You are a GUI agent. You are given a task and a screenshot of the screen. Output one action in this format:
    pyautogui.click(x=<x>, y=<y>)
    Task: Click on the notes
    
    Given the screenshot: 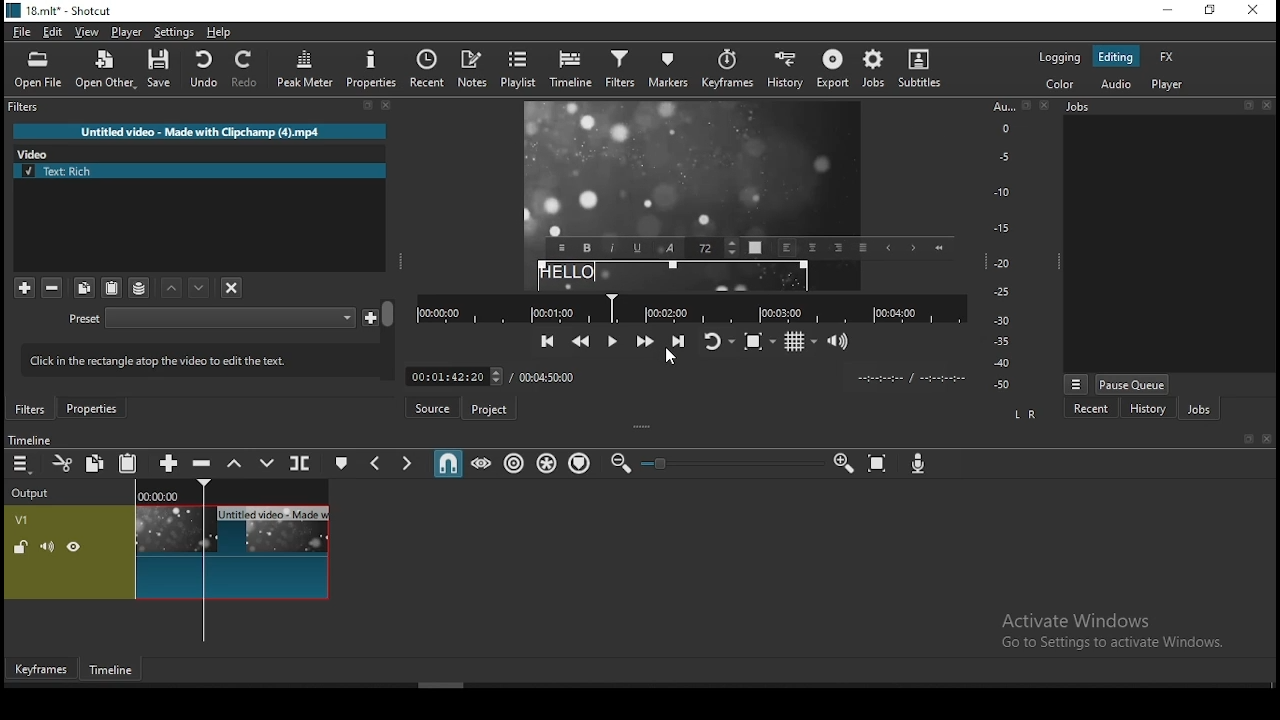 What is the action you would take?
    pyautogui.click(x=473, y=70)
    